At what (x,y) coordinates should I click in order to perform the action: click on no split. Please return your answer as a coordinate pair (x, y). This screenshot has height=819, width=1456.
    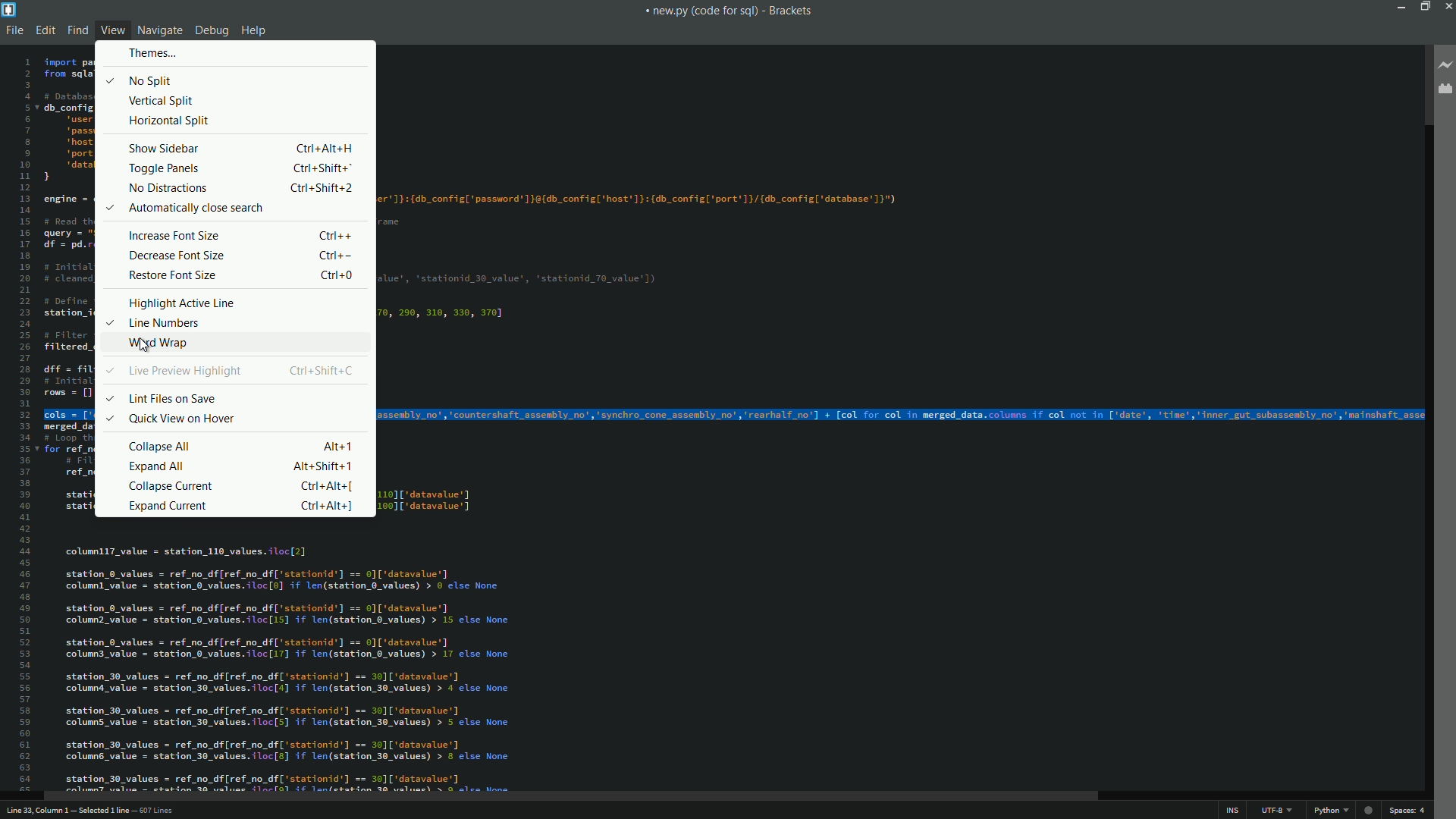
    Looking at the image, I should click on (137, 80).